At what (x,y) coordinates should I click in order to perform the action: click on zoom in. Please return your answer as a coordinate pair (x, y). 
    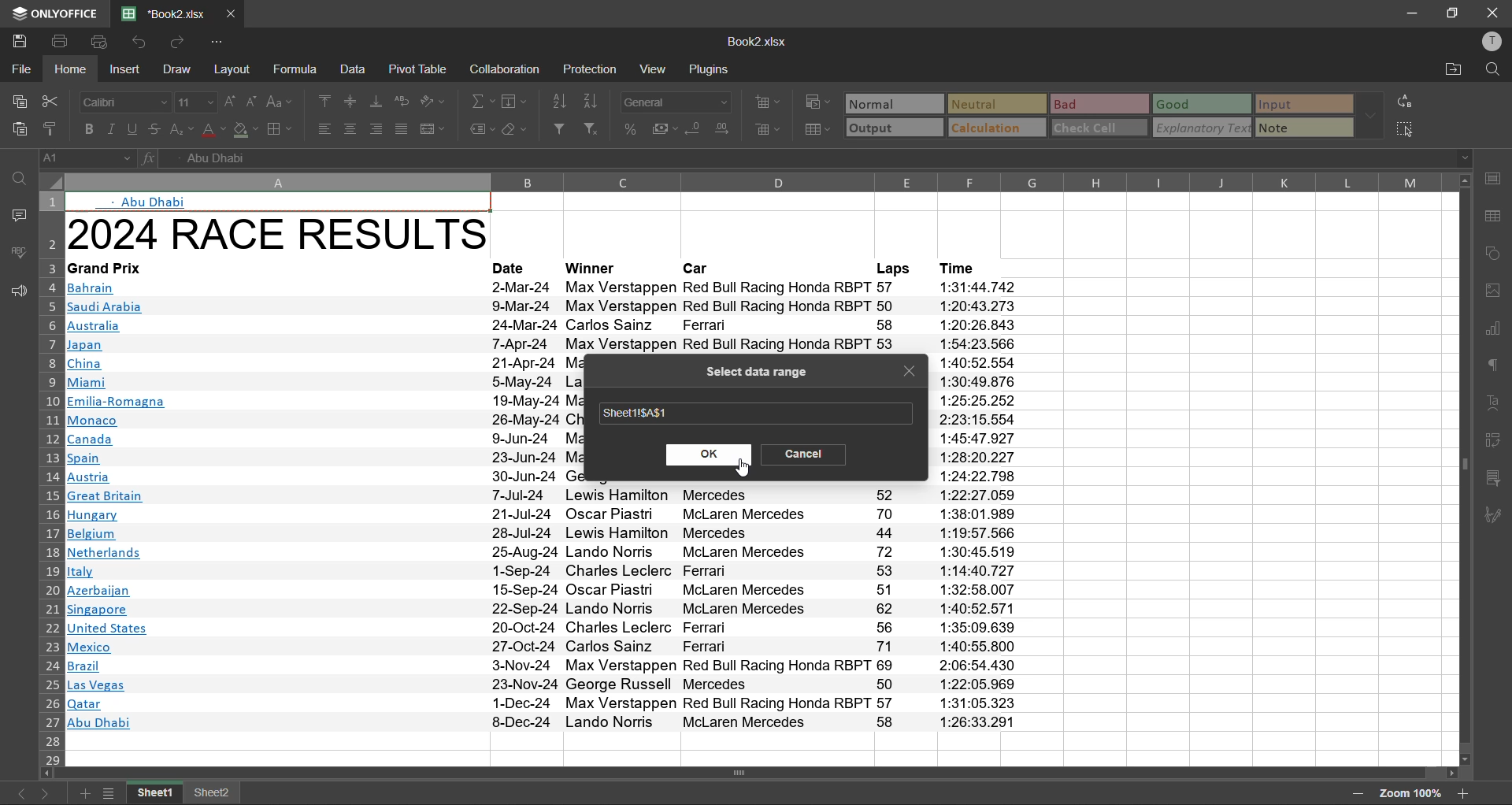
    Looking at the image, I should click on (1462, 792).